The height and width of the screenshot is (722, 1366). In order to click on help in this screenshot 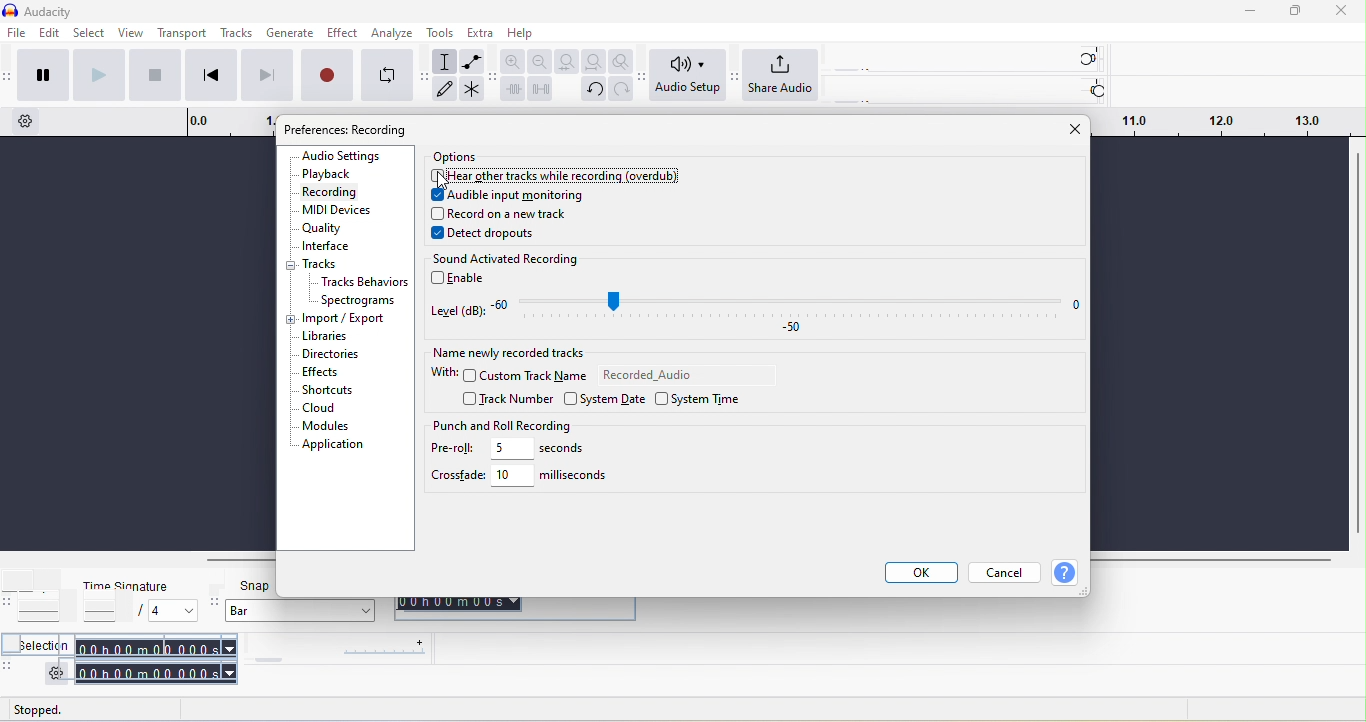, I will do `click(521, 33)`.